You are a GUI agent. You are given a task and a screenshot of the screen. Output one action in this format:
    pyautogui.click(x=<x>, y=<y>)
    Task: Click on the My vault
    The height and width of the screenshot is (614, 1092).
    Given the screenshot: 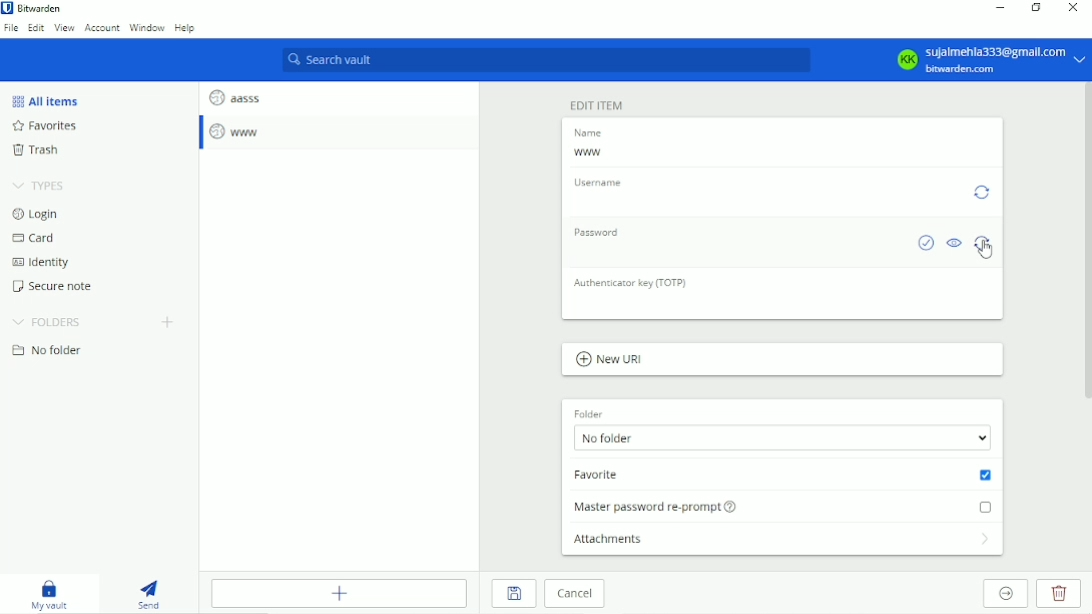 What is the action you would take?
    pyautogui.click(x=55, y=595)
    